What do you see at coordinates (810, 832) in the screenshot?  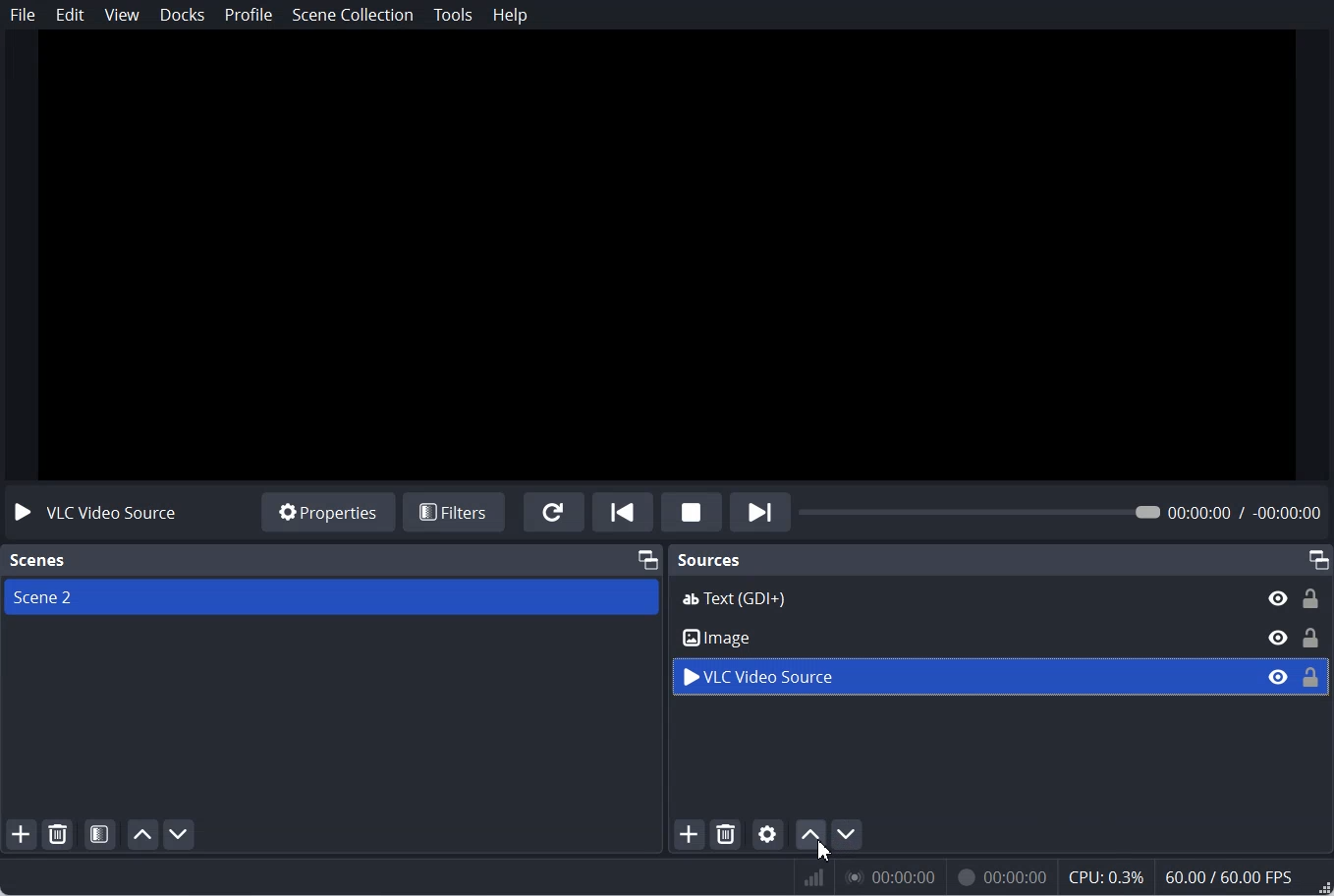 I see `Move source up` at bounding box center [810, 832].